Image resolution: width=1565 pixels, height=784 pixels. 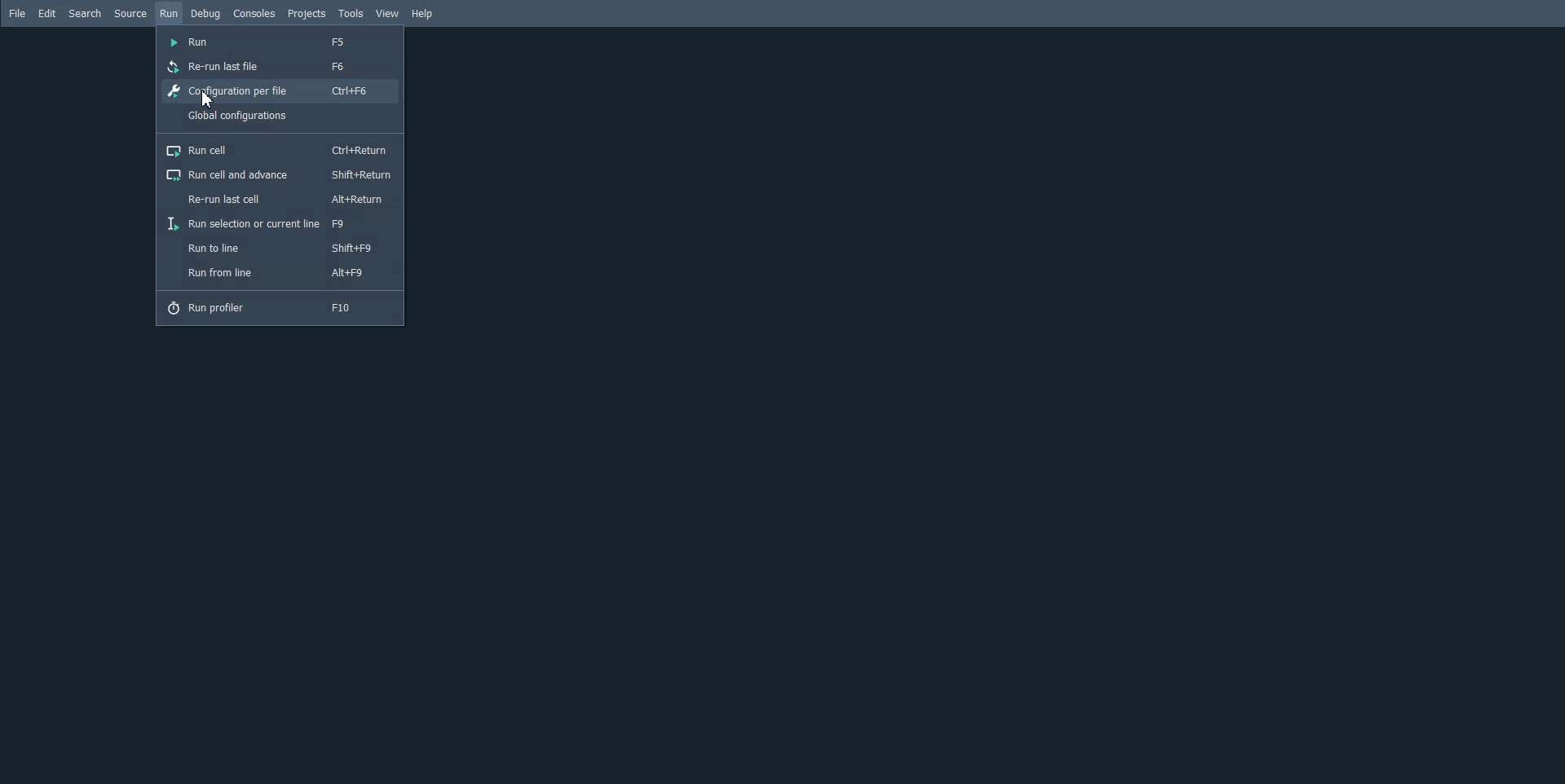 I want to click on Cursor, so click(x=209, y=99).